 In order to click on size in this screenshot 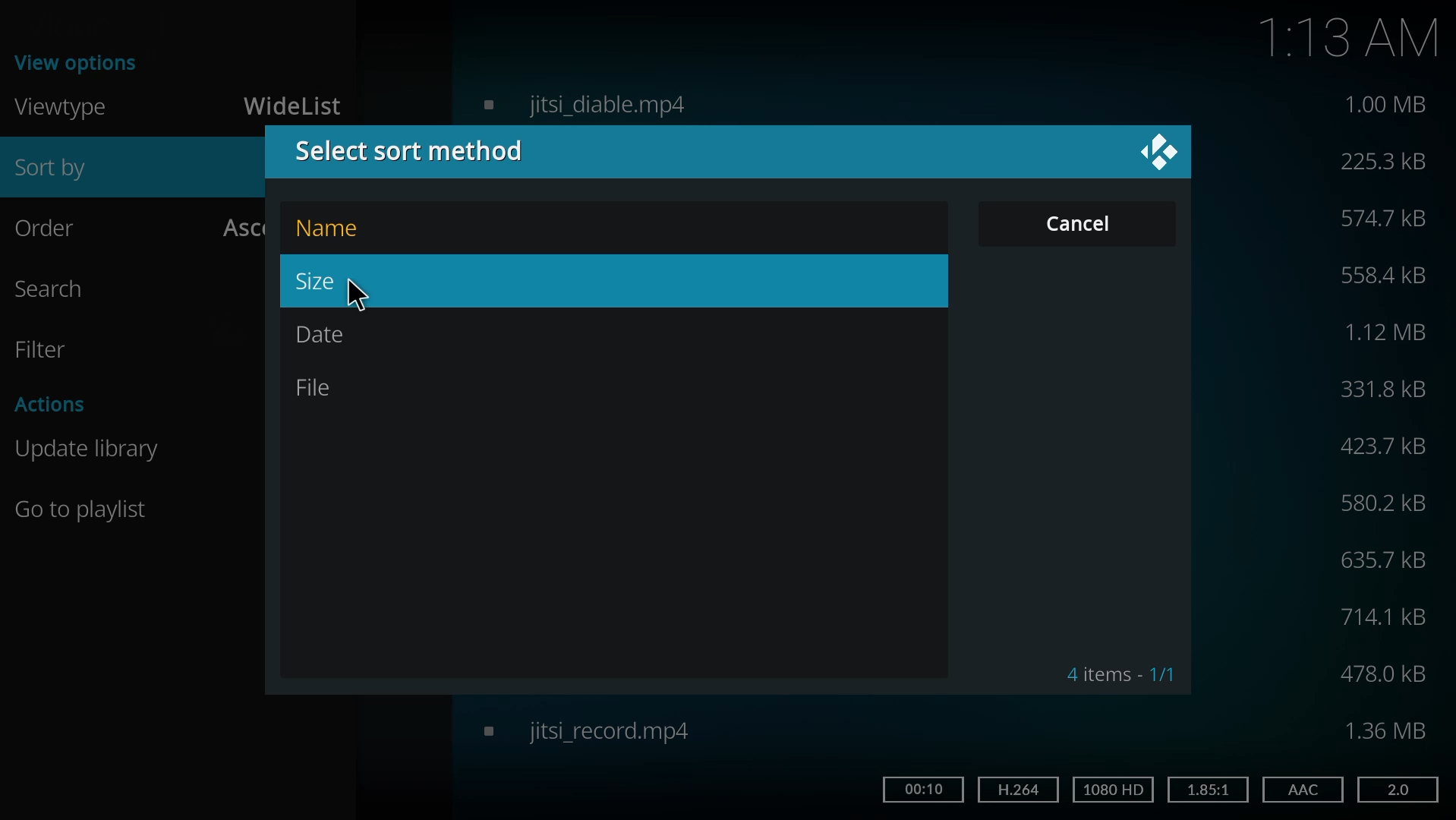, I will do `click(1372, 677)`.